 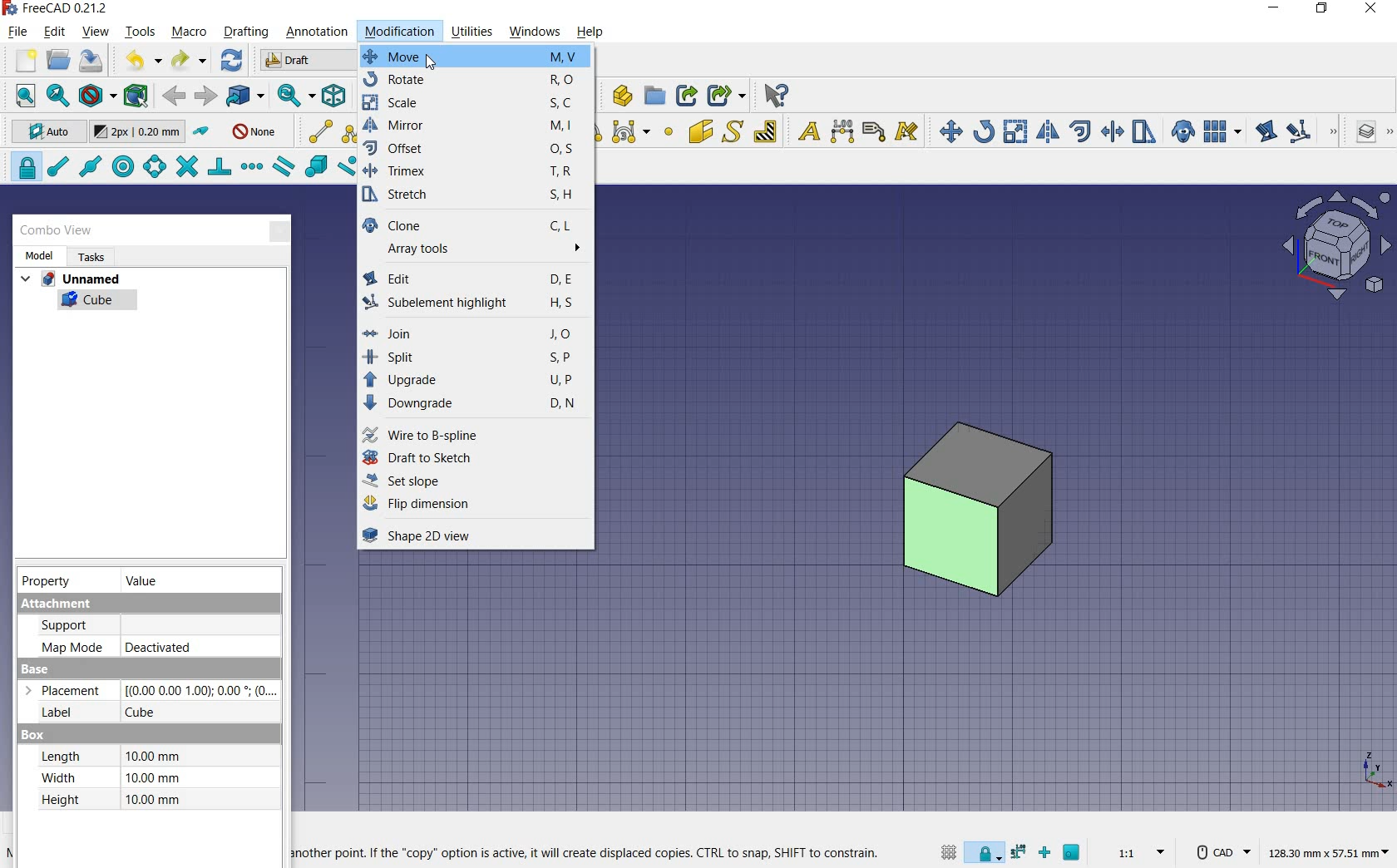 What do you see at coordinates (1324, 10) in the screenshot?
I see `restore down` at bounding box center [1324, 10].